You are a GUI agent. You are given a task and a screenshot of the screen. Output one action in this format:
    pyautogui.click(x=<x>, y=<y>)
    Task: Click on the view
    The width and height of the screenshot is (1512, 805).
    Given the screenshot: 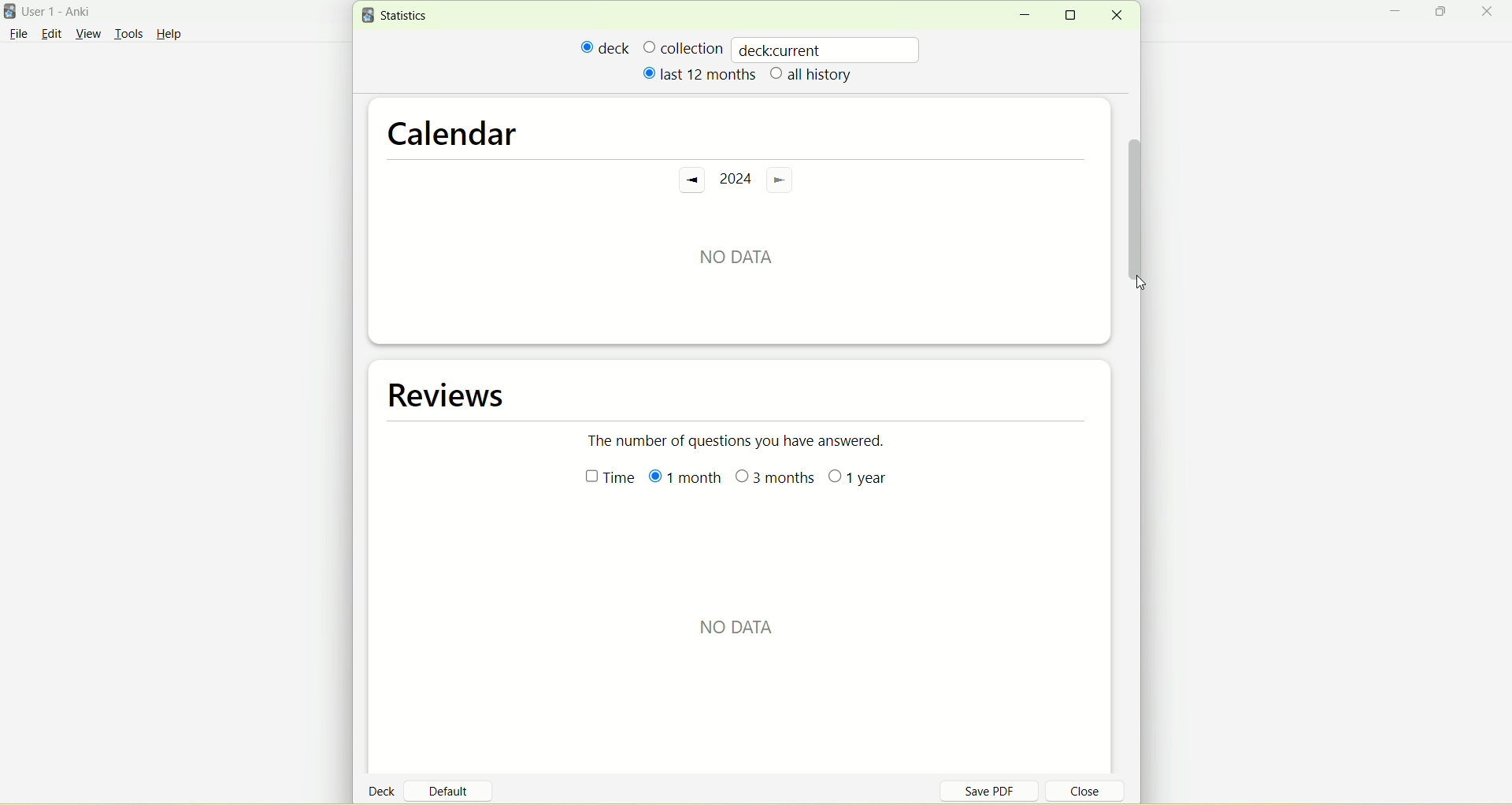 What is the action you would take?
    pyautogui.click(x=91, y=35)
    